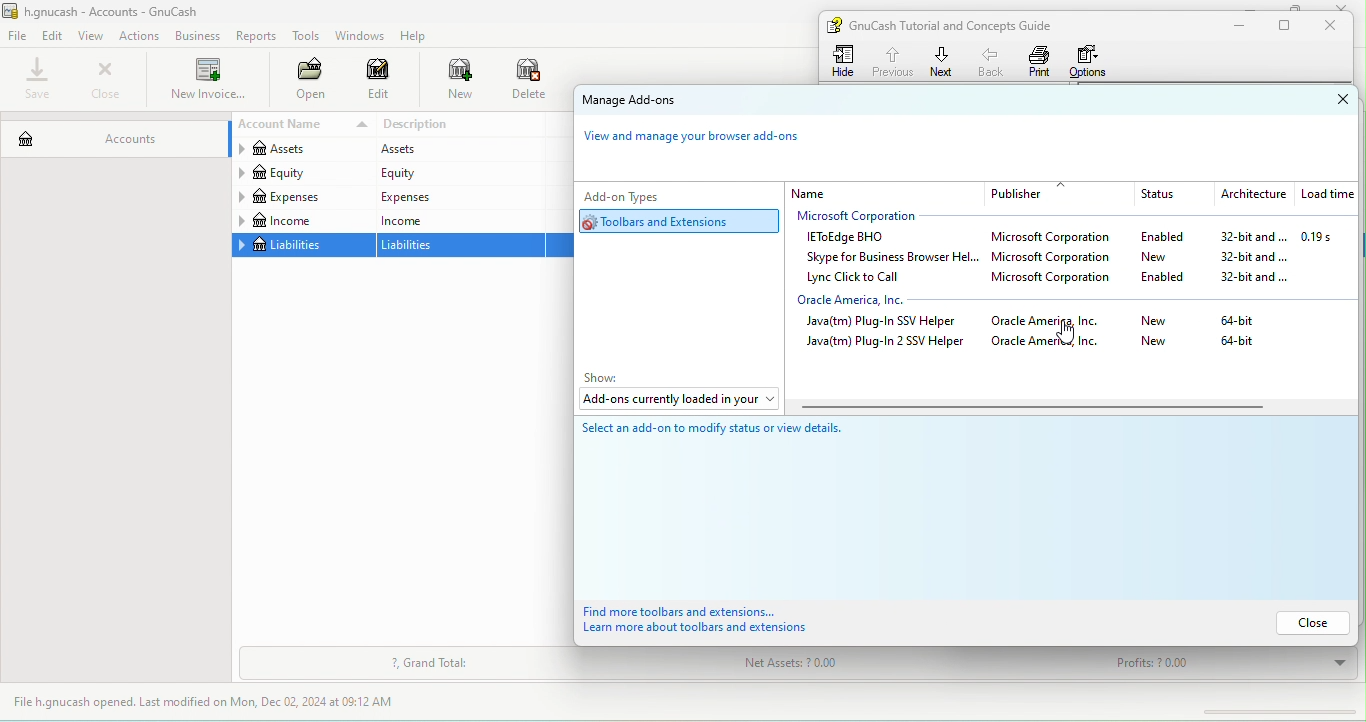 This screenshot has width=1366, height=722. Describe the element at coordinates (418, 36) in the screenshot. I see `help` at that location.